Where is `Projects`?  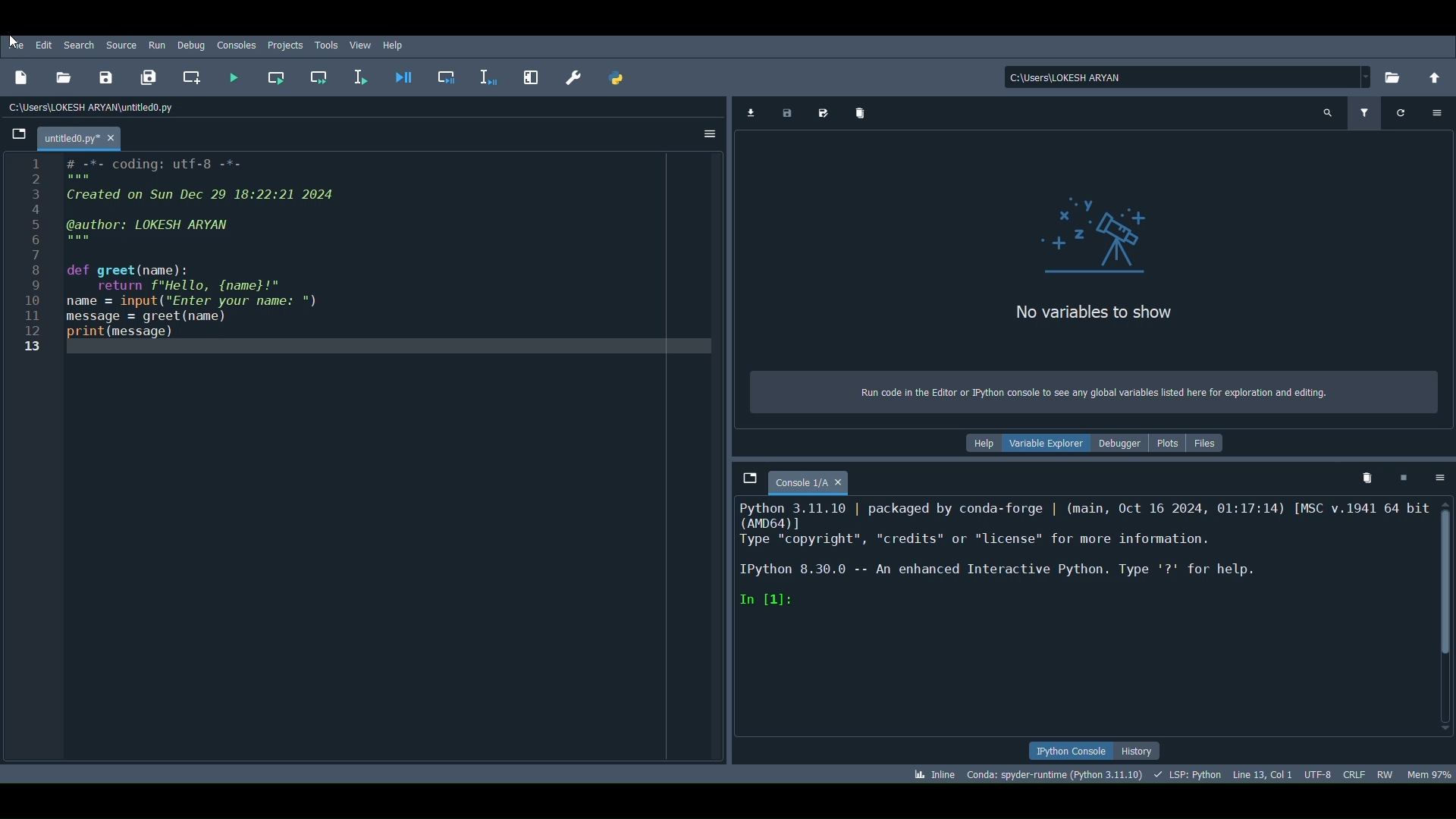 Projects is located at coordinates (284, 45).